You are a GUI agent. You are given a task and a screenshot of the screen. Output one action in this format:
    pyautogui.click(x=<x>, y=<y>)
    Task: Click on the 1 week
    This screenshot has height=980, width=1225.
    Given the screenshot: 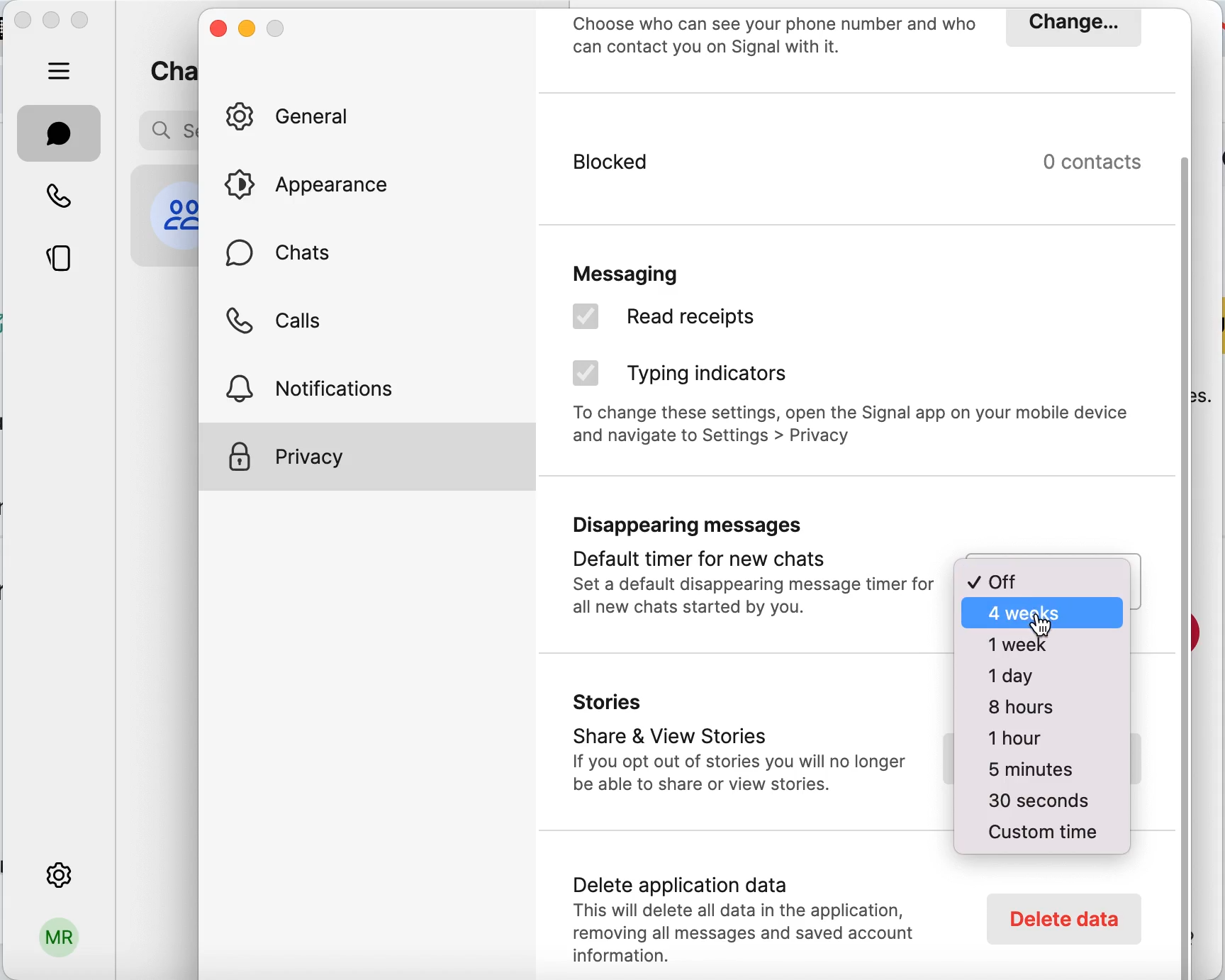 What is the action you would take?
    pyautogui.click(x=1044, y=645)
    